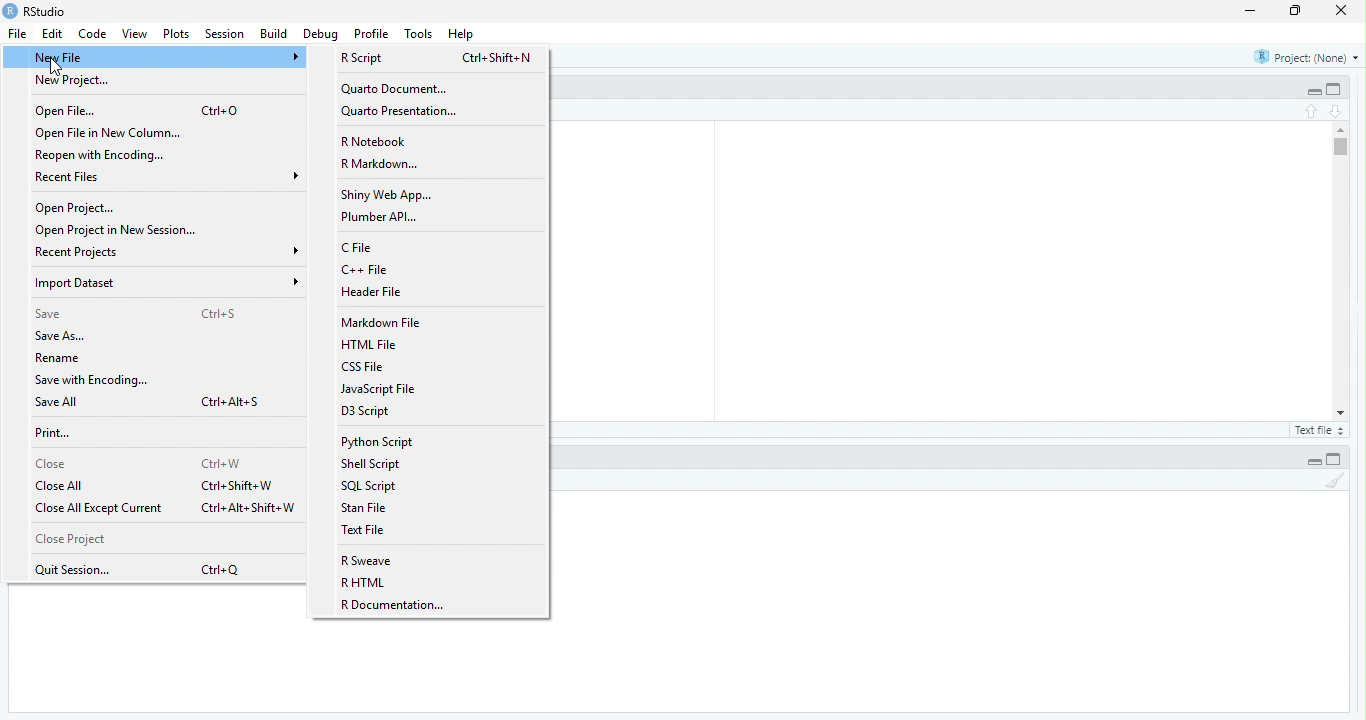  What do you see at coordinates (377, 442) in the screenshot?
I see `Python Script` at bounding box center [377, 442].